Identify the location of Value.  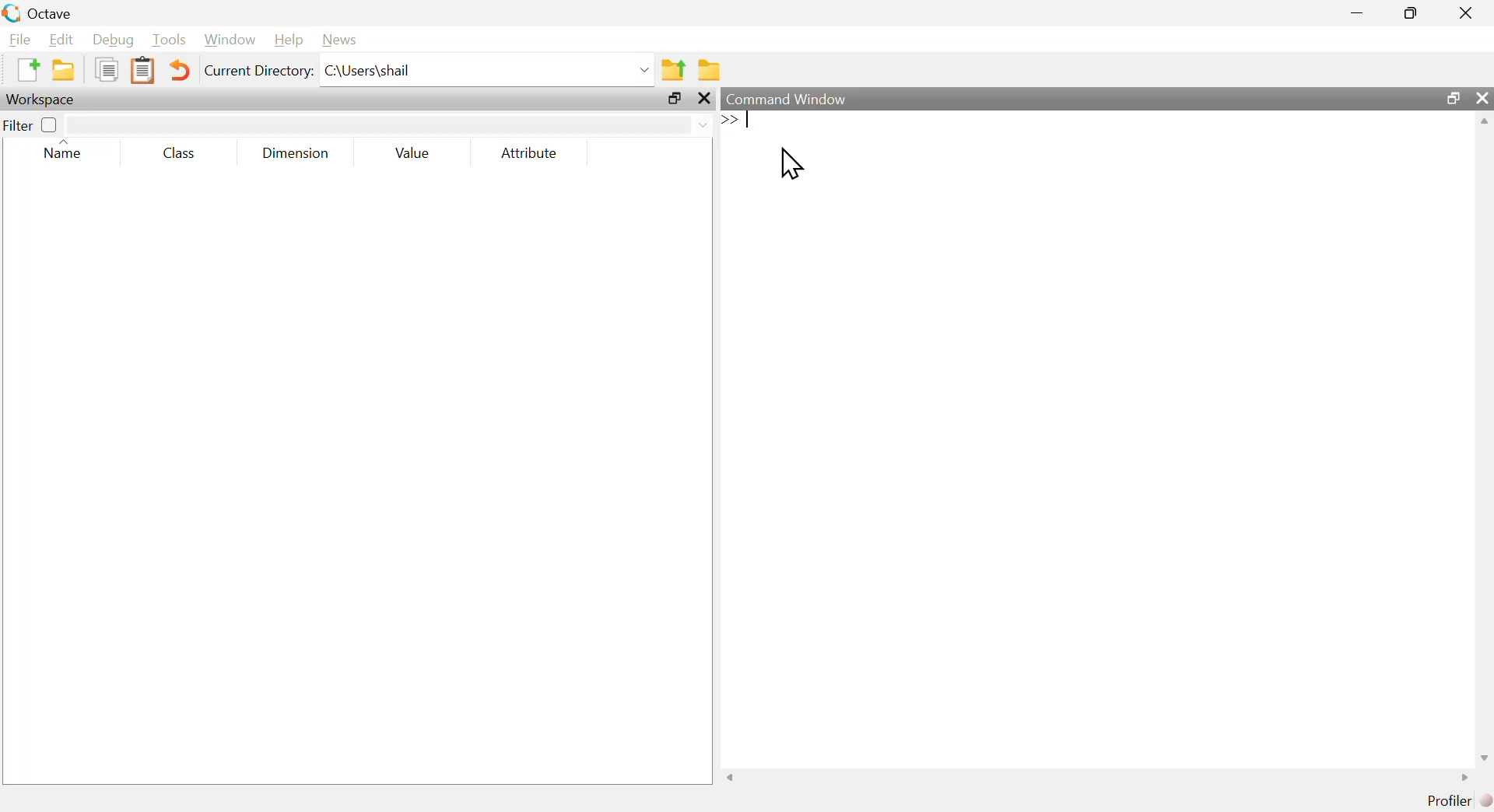
(417, 152).